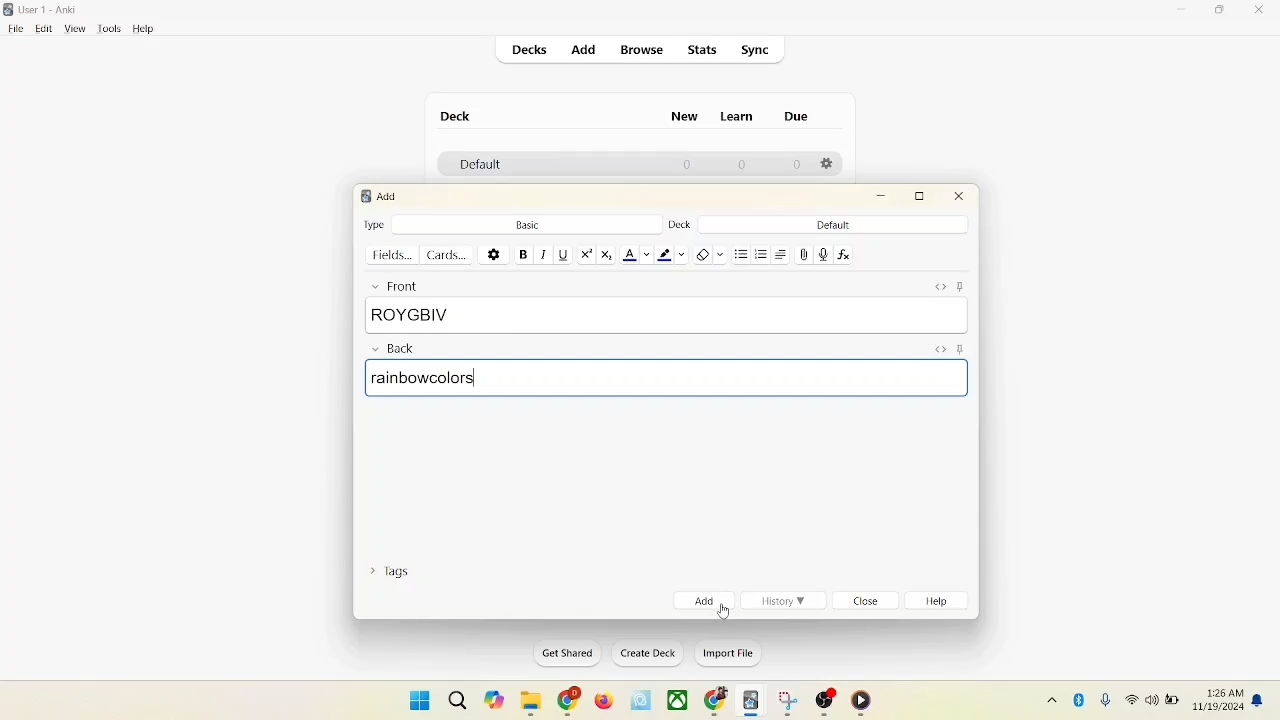 The width and height of the screenshot is (1280, 720). What do you see at coordinates (1259, 700) in the screenshot?
I see `notification` at bounding box center [1259, 700].